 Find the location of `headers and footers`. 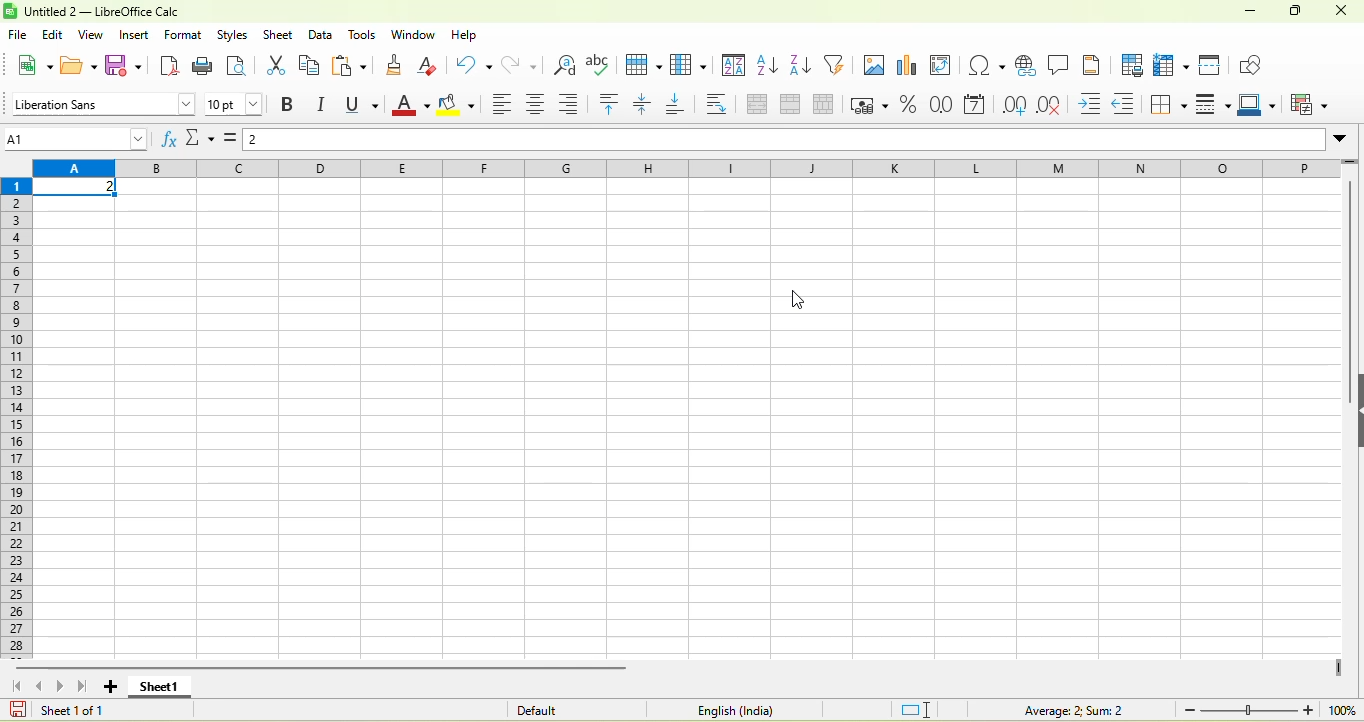

headers and footers is located at coordinates (1097, 65).